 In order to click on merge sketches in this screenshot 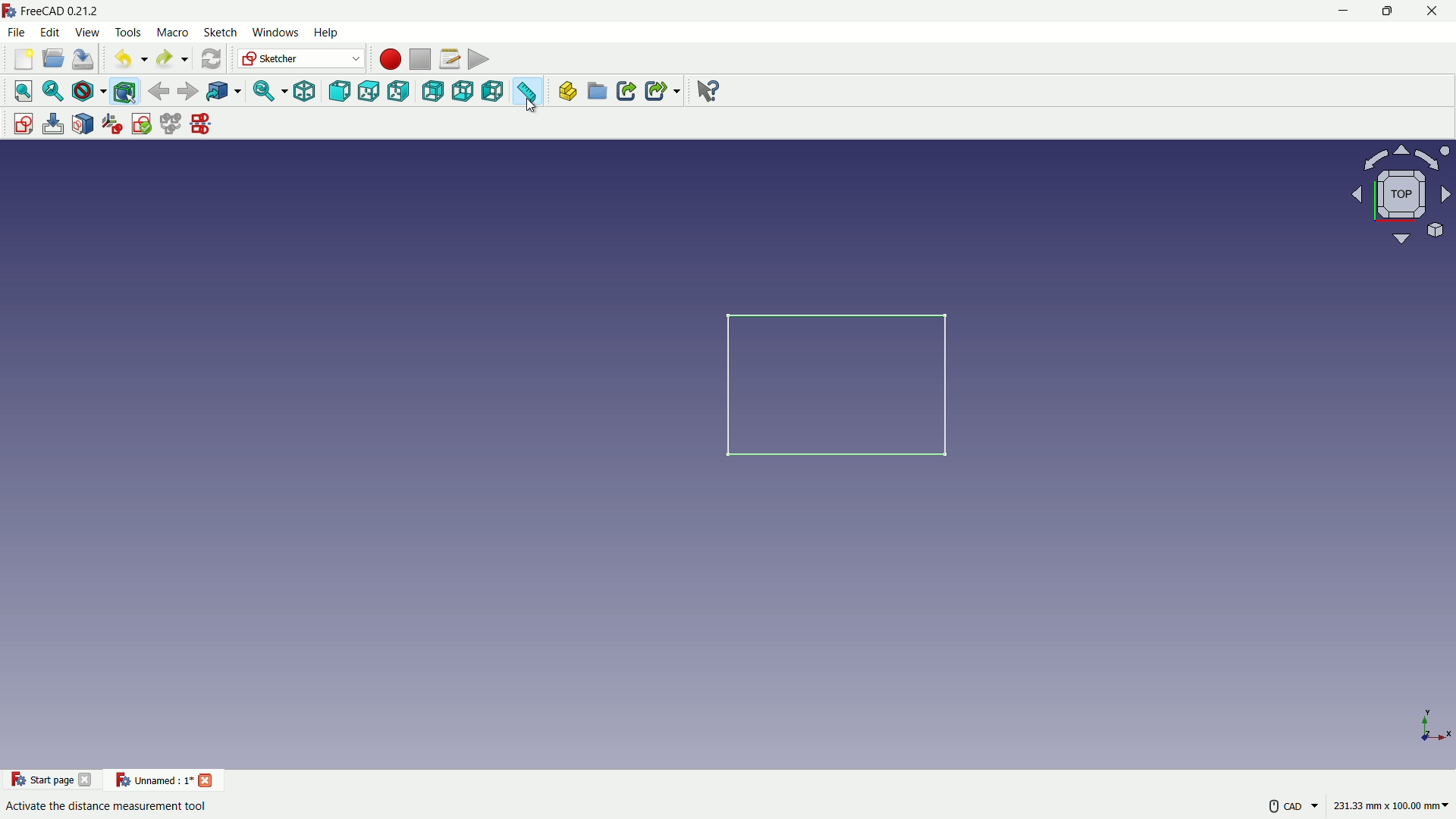, I will do `click(172, 124)`.